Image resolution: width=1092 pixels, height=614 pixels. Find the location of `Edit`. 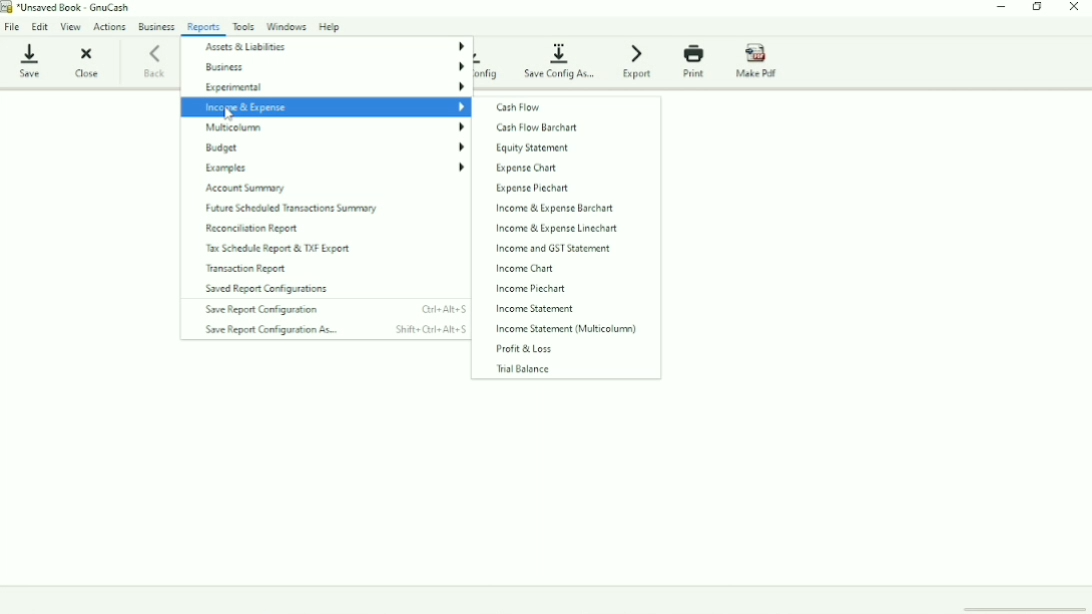

Edit is located at coordinates (40, 25).